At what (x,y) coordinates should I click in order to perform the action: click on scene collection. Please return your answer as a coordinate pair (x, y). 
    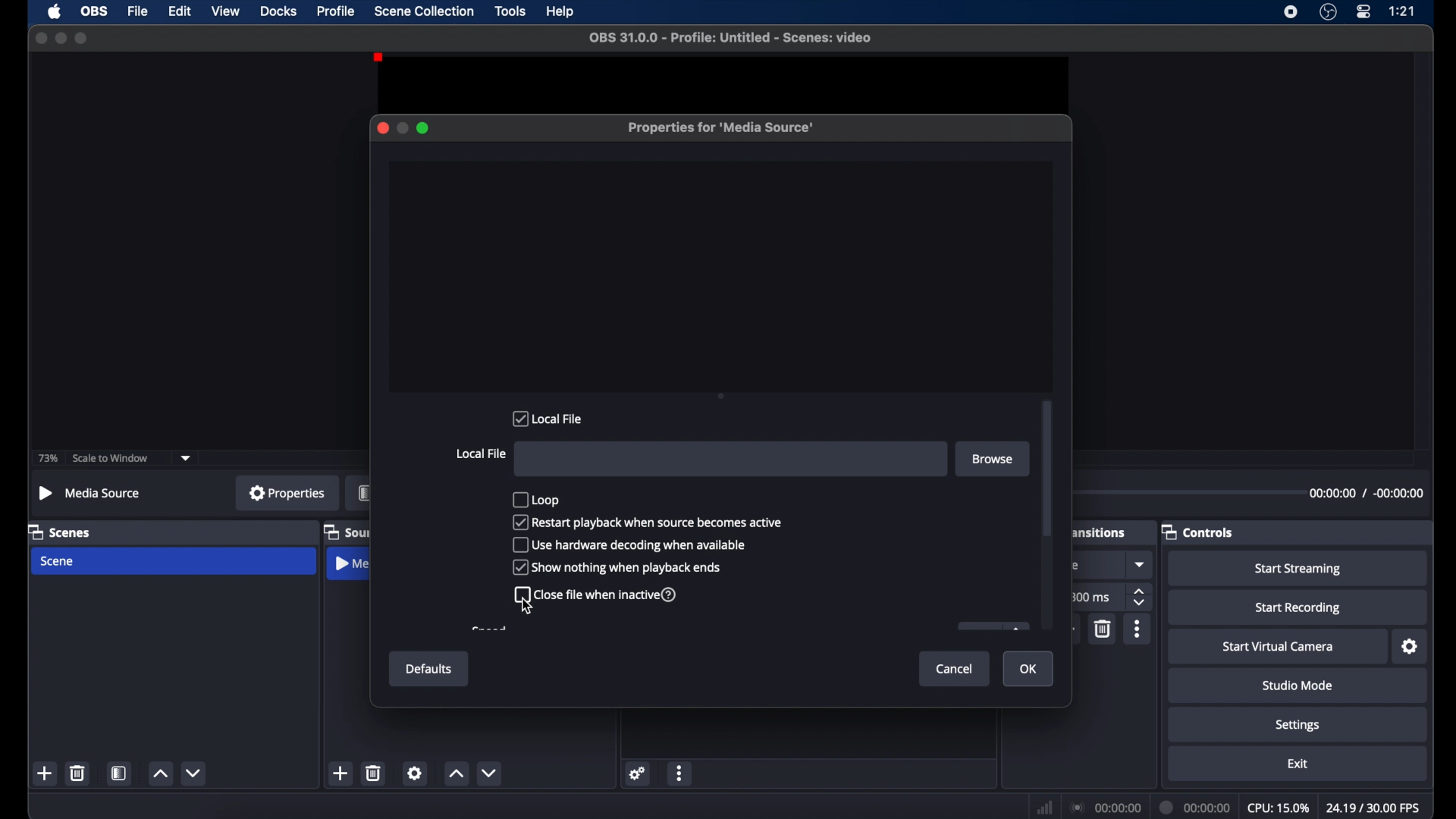
    Looking at the image, I should click on (422, 11).